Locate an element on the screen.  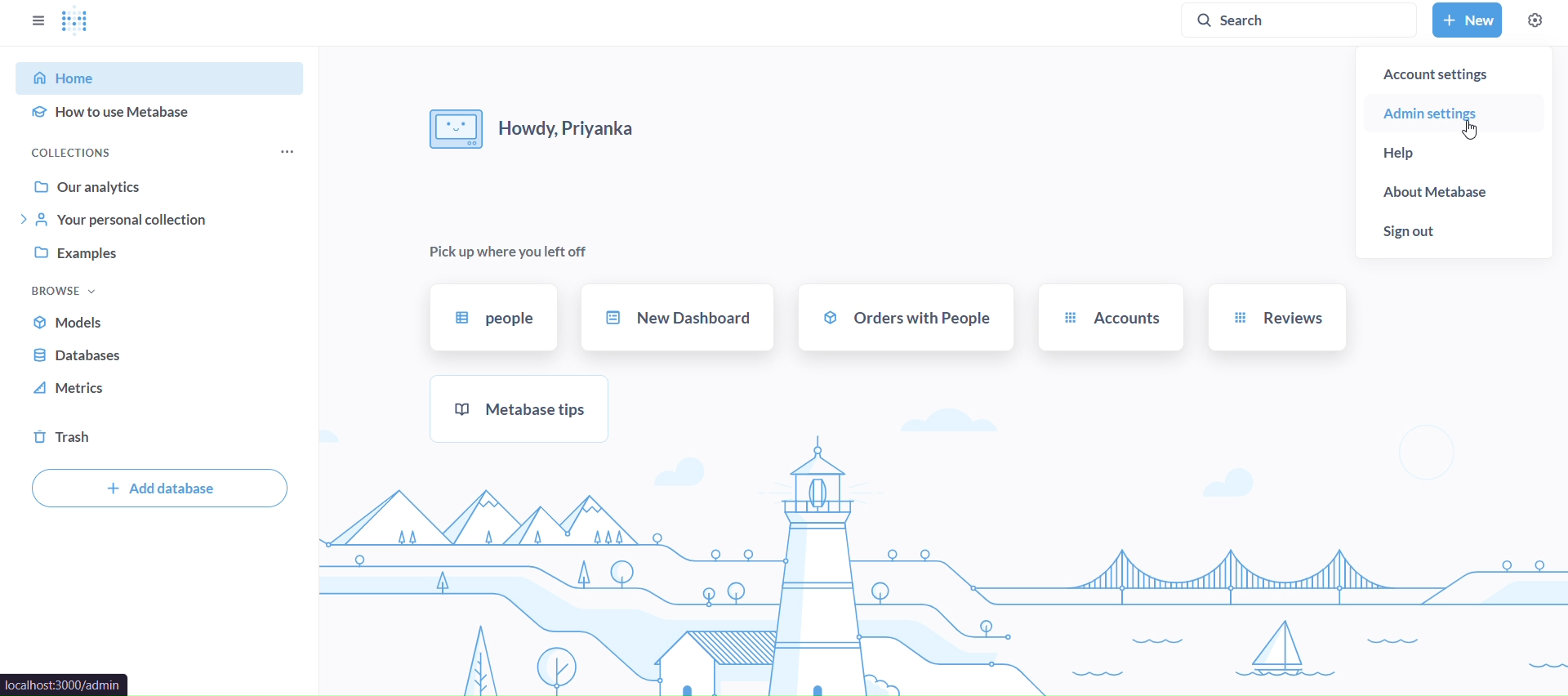
metabase is located at coordinates (519, 408).